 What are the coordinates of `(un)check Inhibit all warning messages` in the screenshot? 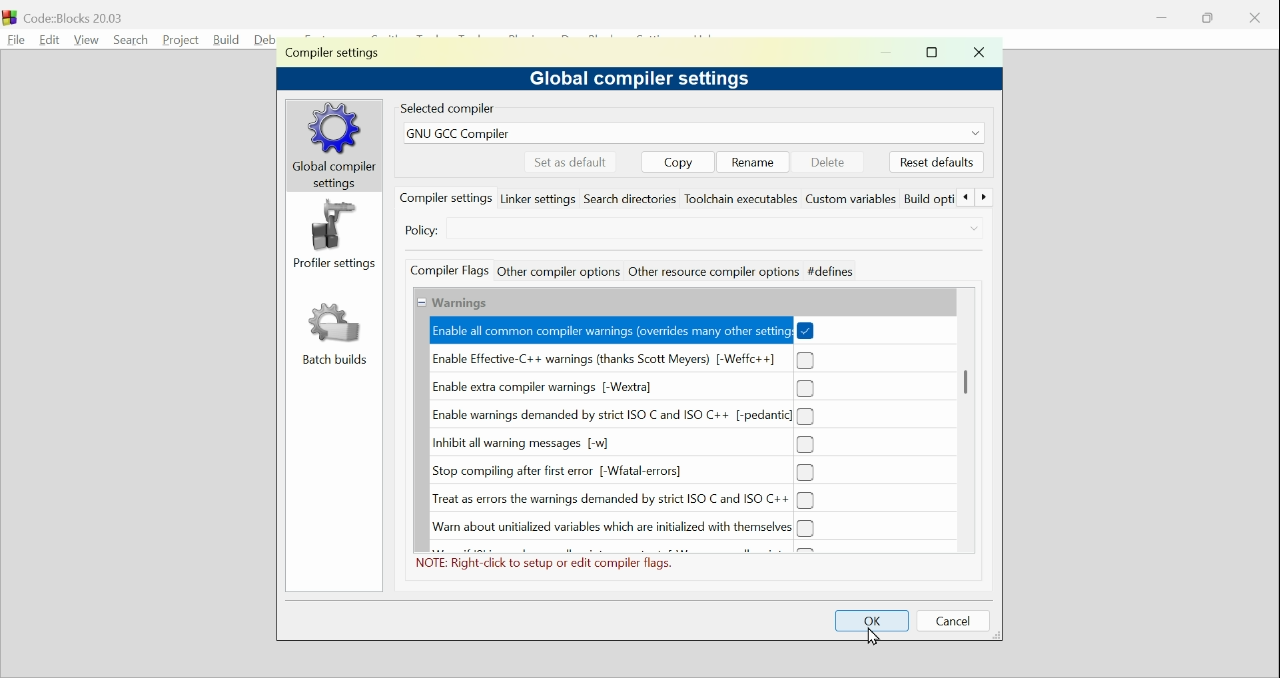 It's located at (621, 444).